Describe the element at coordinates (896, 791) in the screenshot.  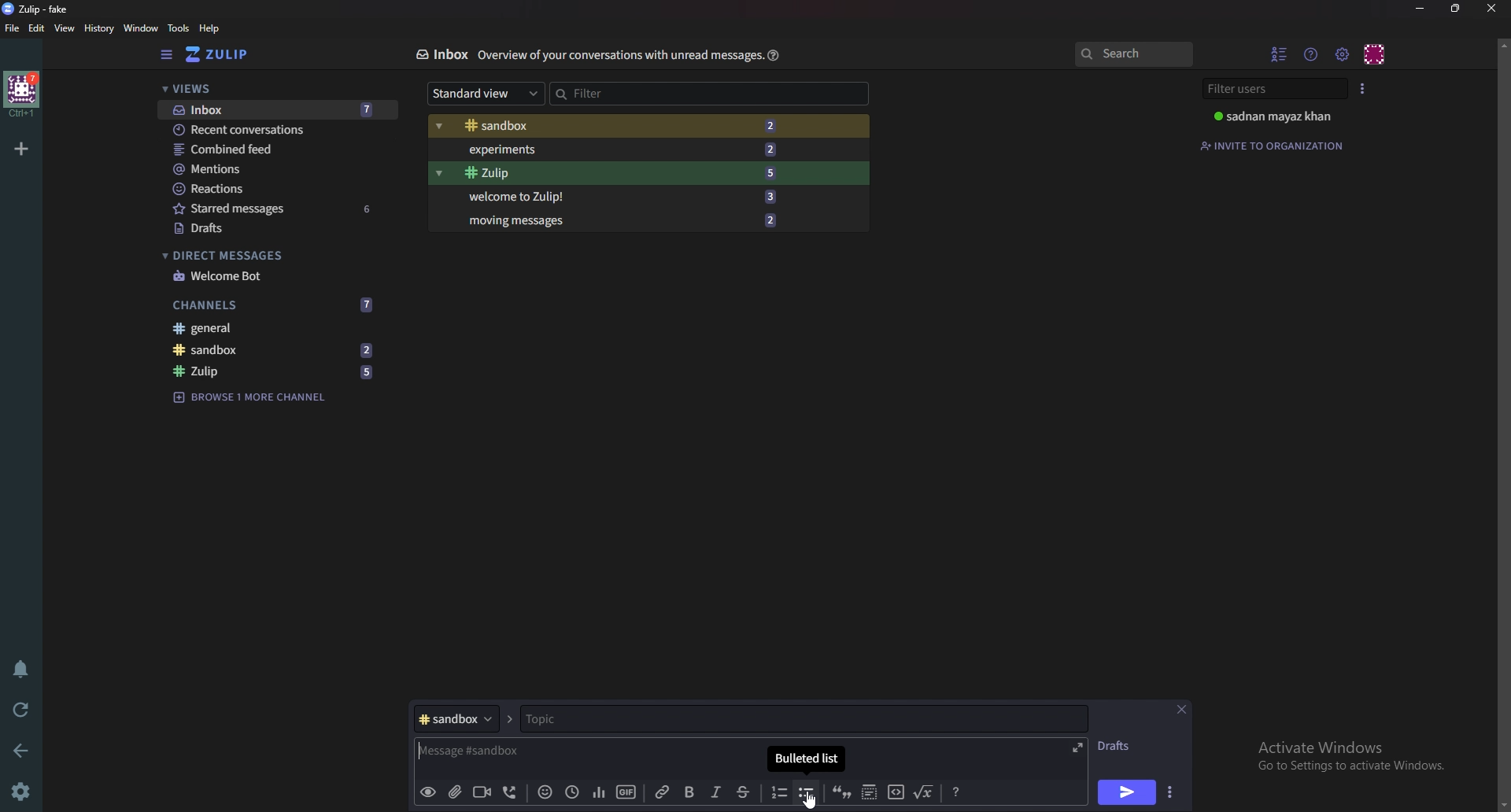
I see `code` at that location.